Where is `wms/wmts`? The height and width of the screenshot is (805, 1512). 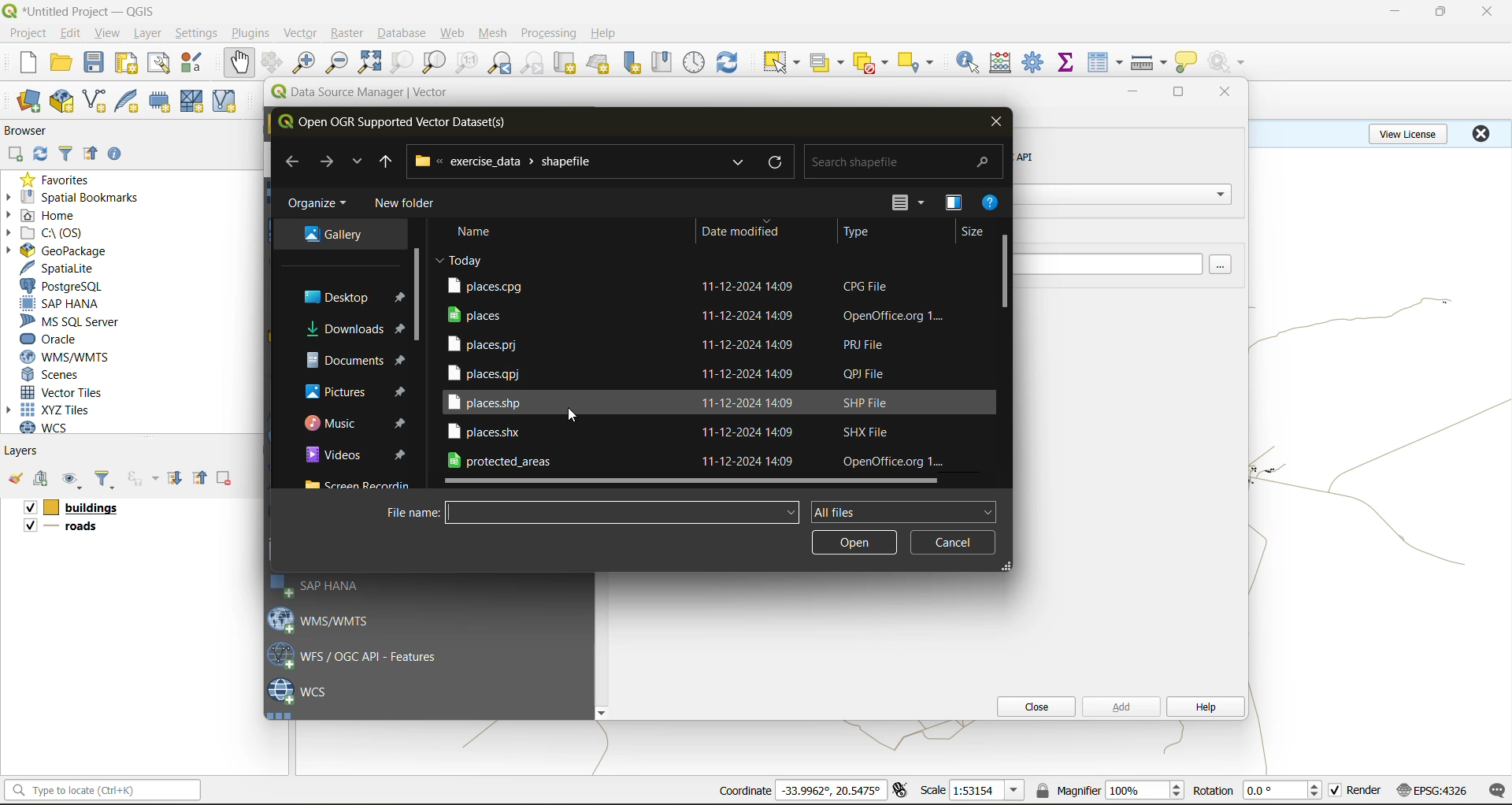 wms/wmts is located at coordinates (71, 357).